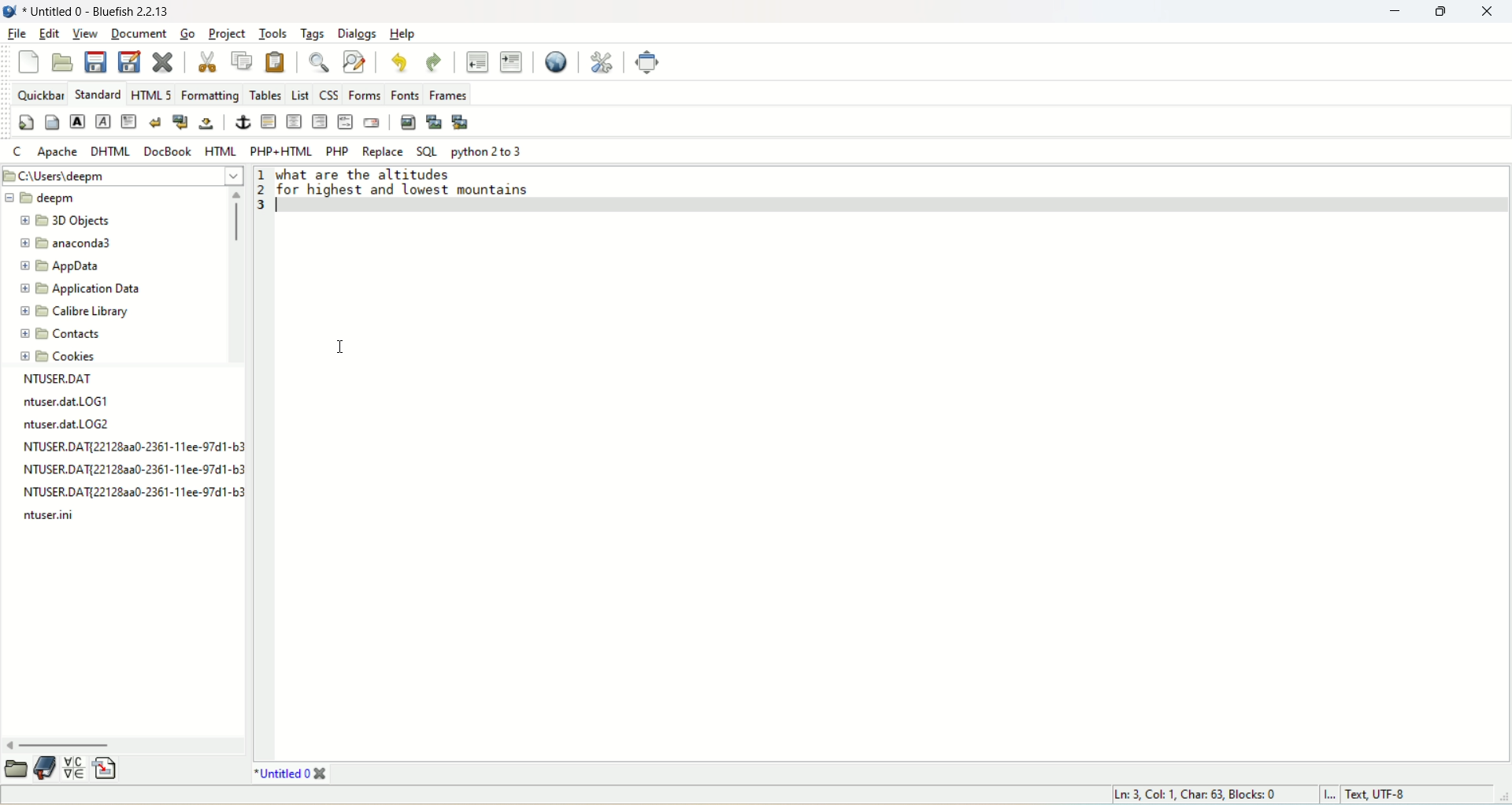  Describe the element at coordinates (1436, 13) in the screenshot. I see `maximize` at that location.